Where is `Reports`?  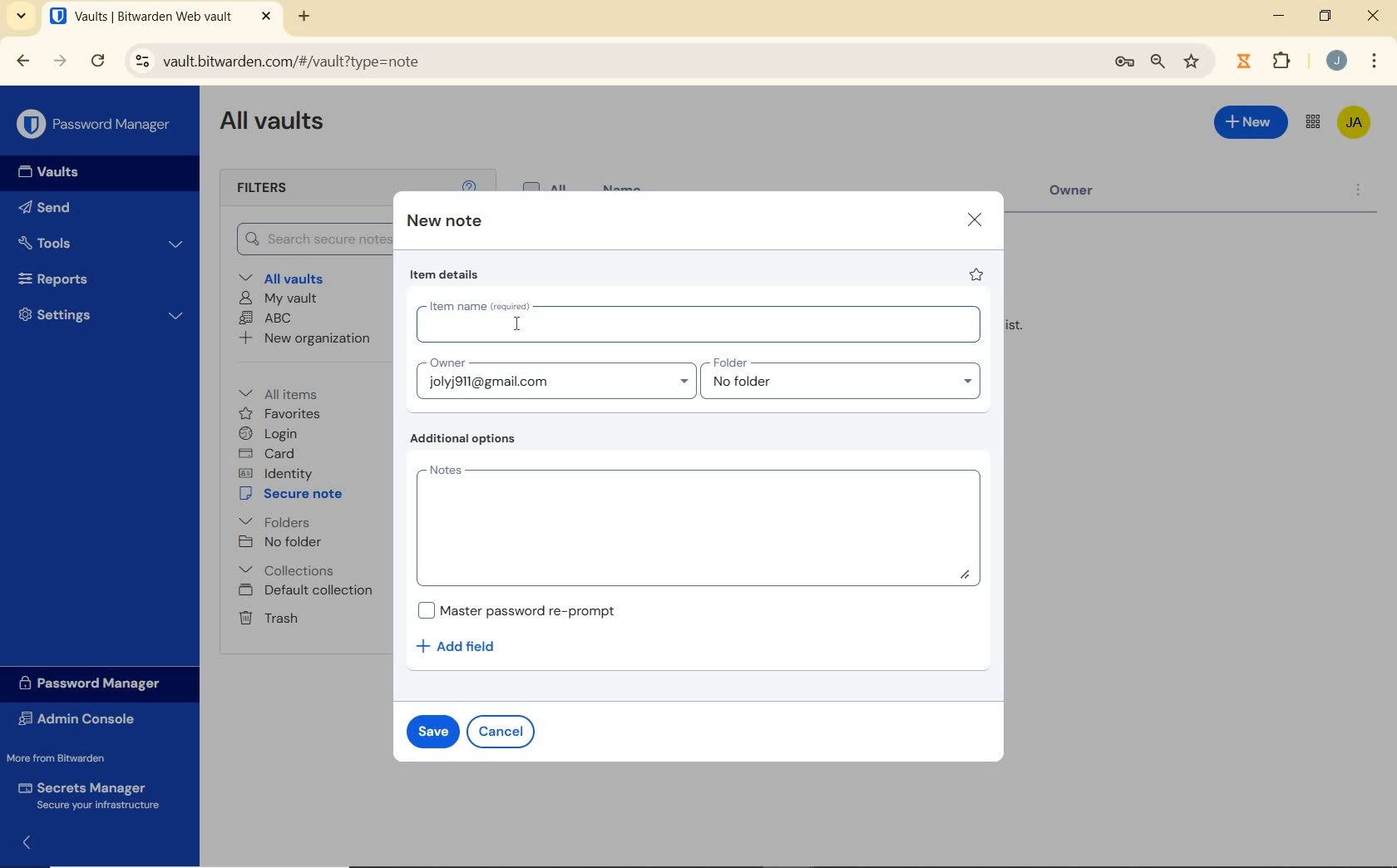
Reports is located at coordinates (95, 277).